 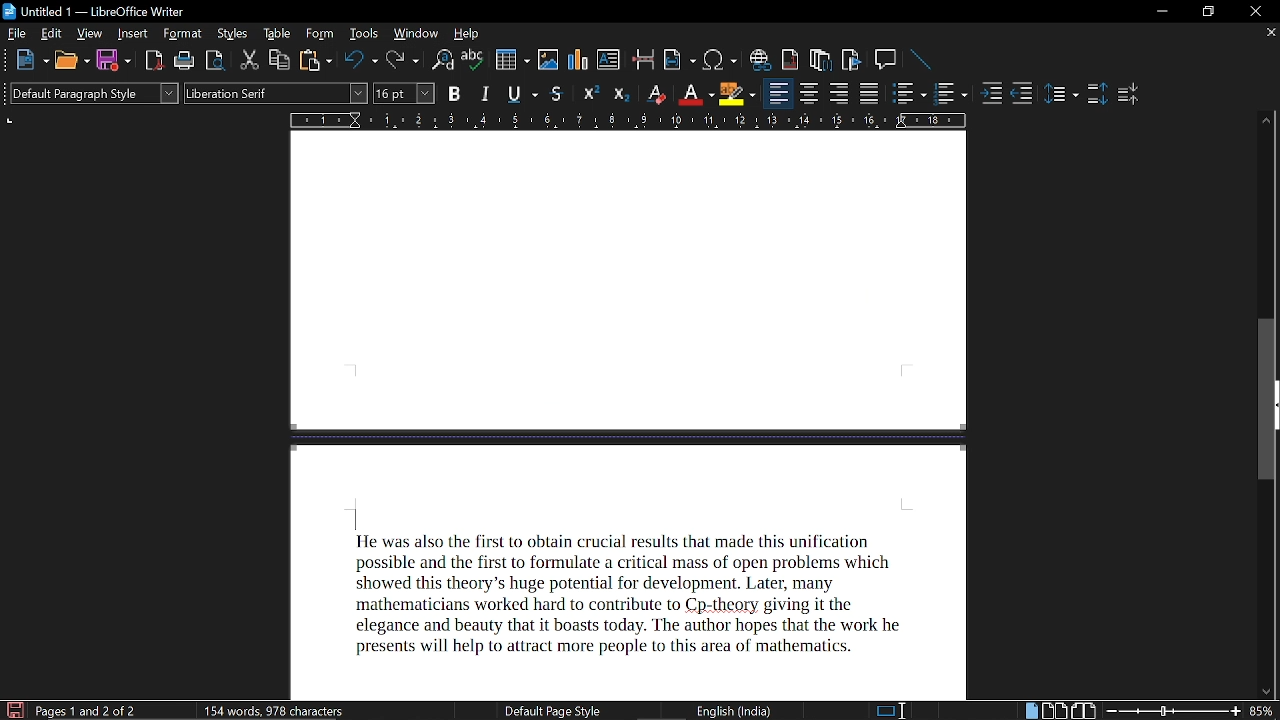 I want to click on Current zoom: 85%, so click(x=1263, y=711).